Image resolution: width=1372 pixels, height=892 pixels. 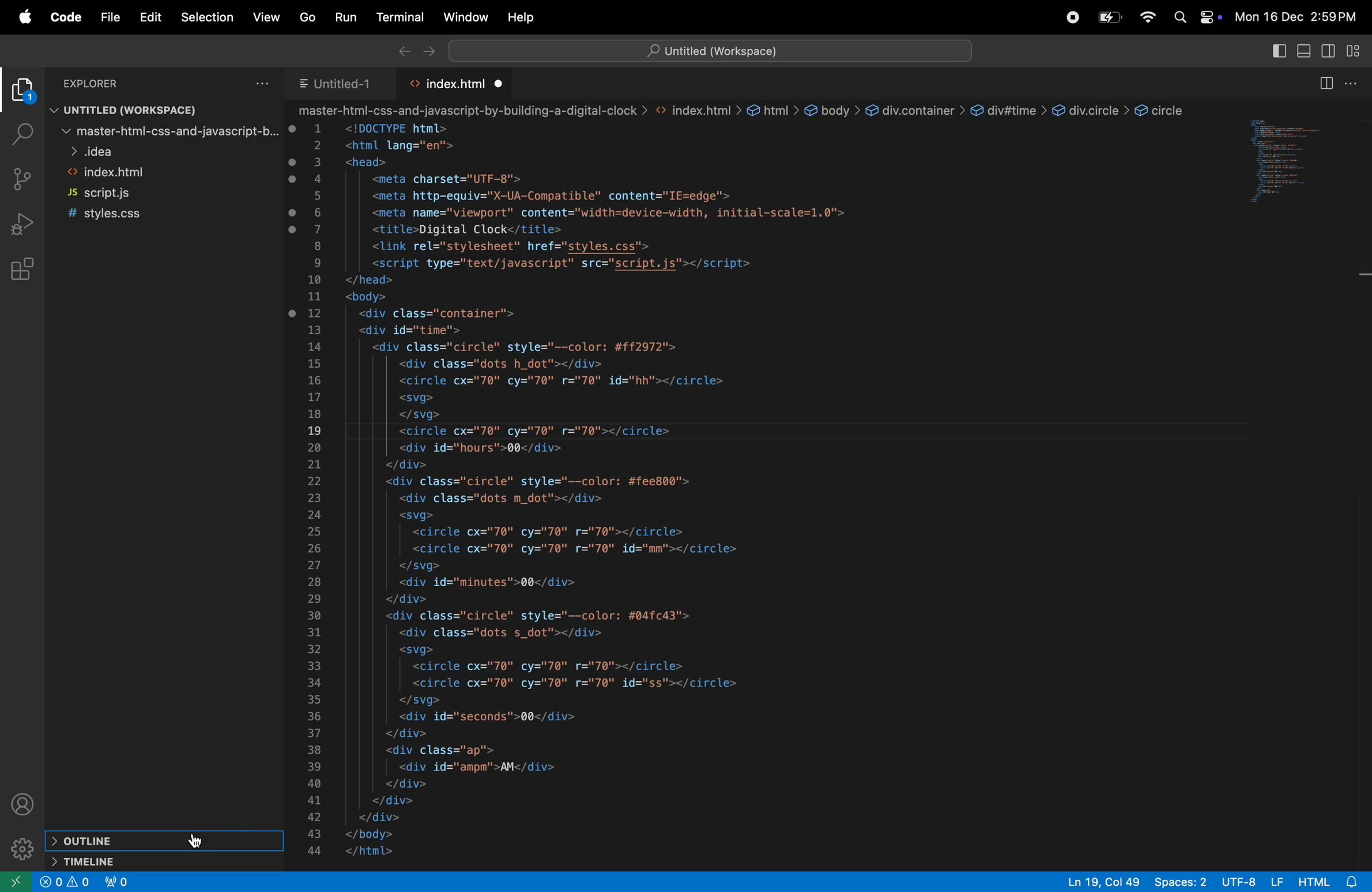 What do you see at coordinates (1252, 882) in the screenshot?
I see `urf 8` at bounding box center [1252, 882].